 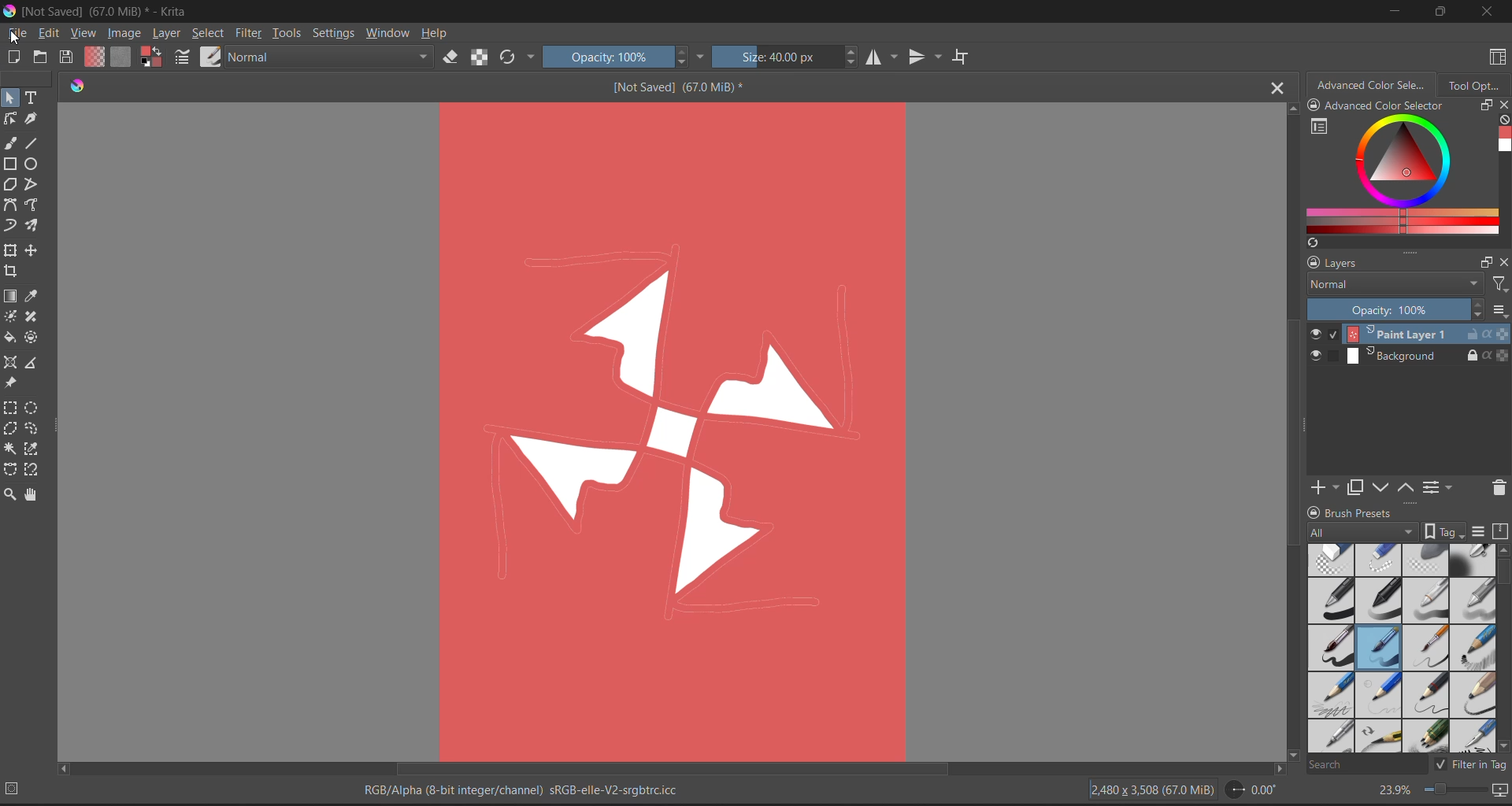 I want to click on tools, so click(x=11, y=248).